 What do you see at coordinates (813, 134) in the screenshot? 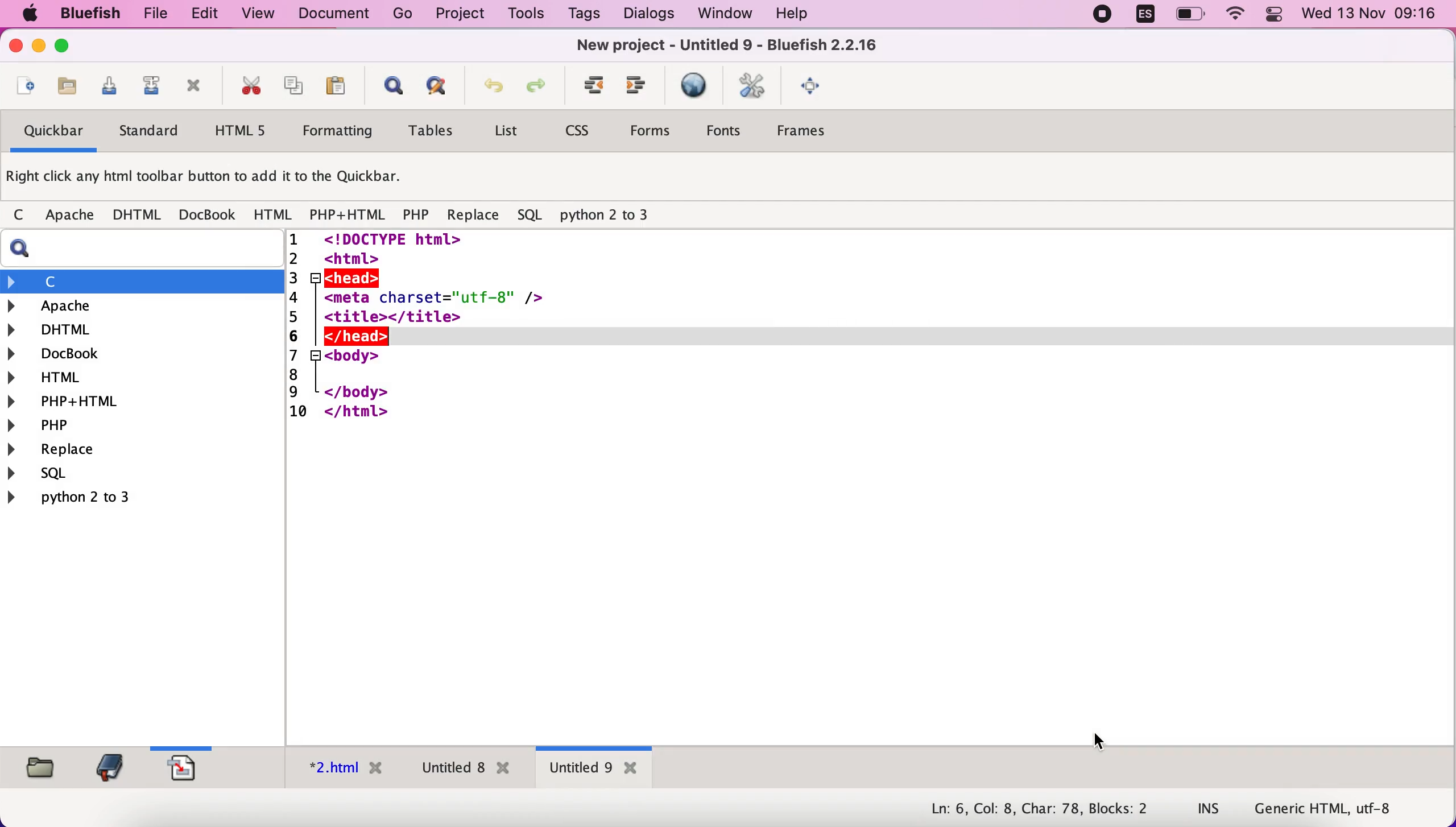
I see `frames` at bounding box center [813, 134].